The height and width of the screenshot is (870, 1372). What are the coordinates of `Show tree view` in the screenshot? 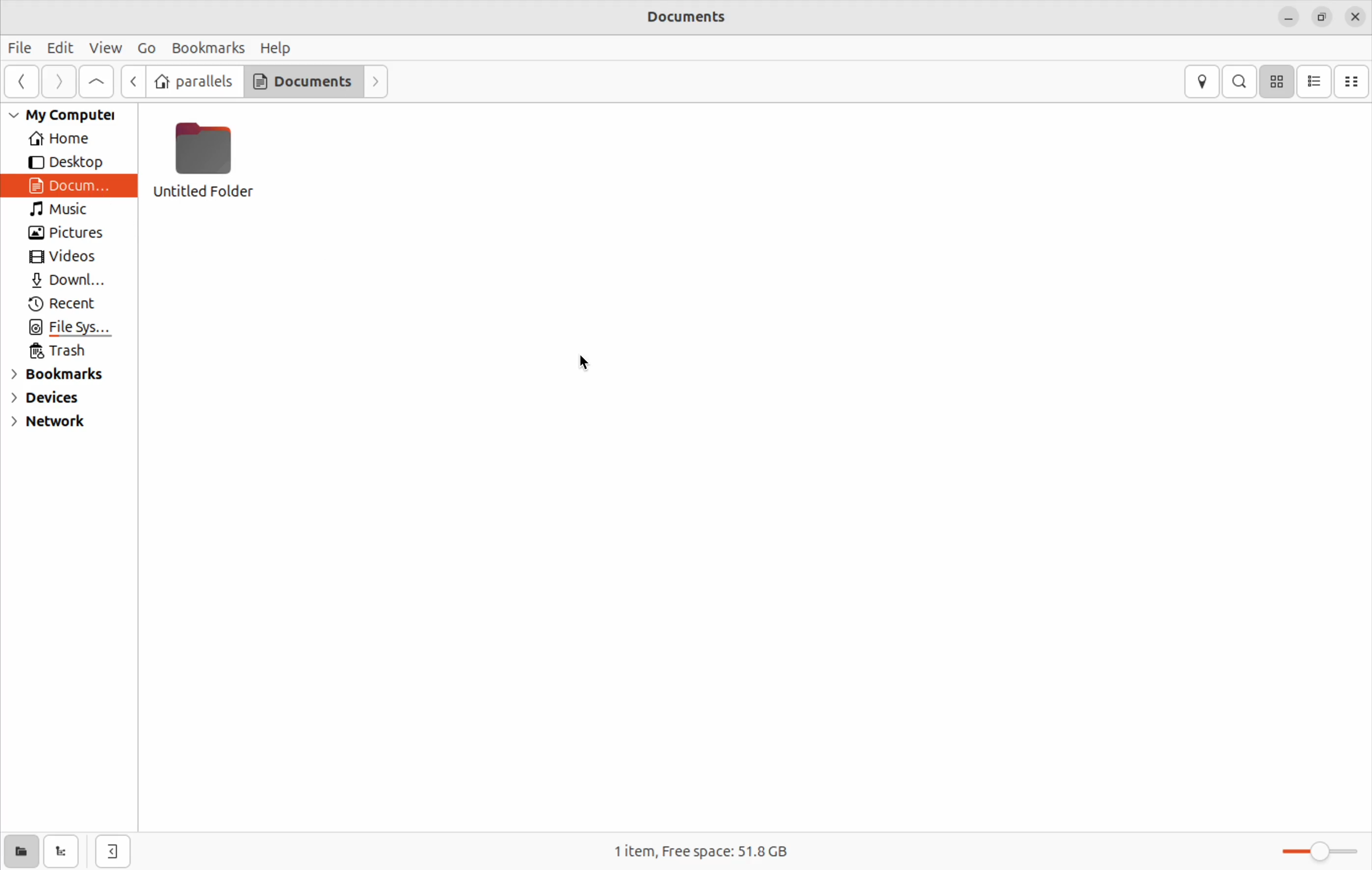 It's located at (60, 852).